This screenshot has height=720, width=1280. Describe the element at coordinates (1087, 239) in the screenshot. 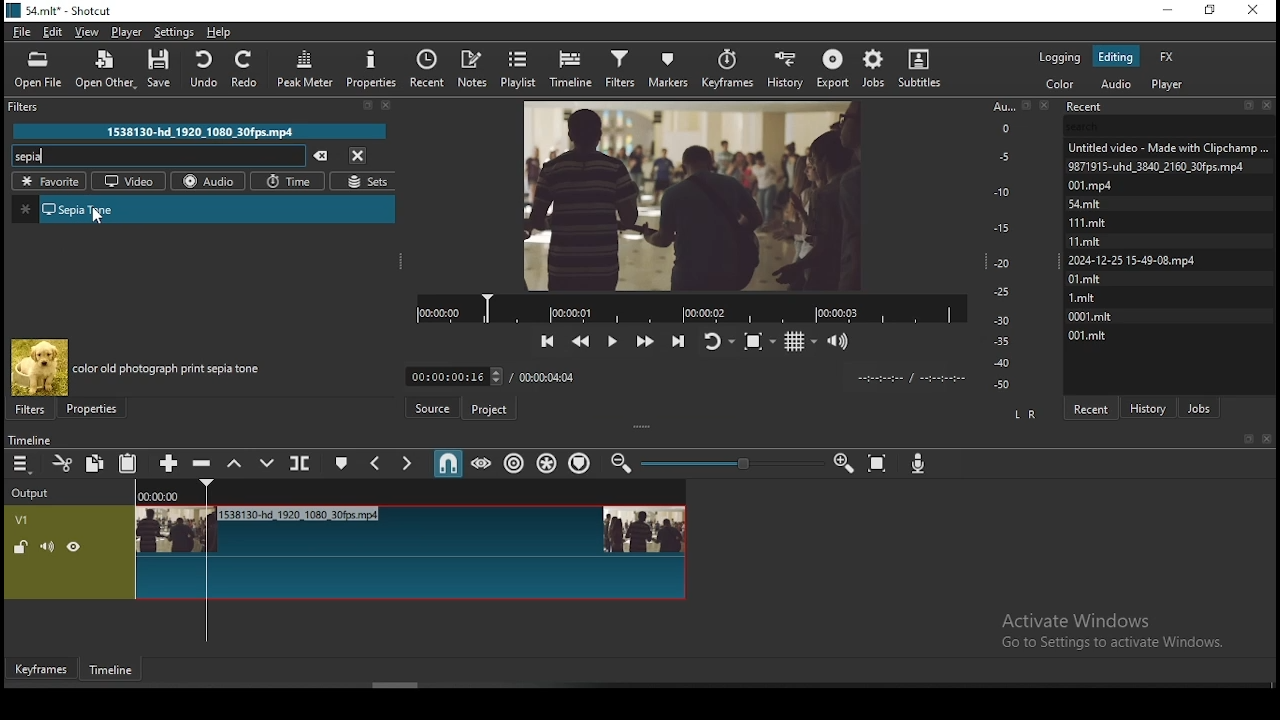

I see `Mami` at that location.